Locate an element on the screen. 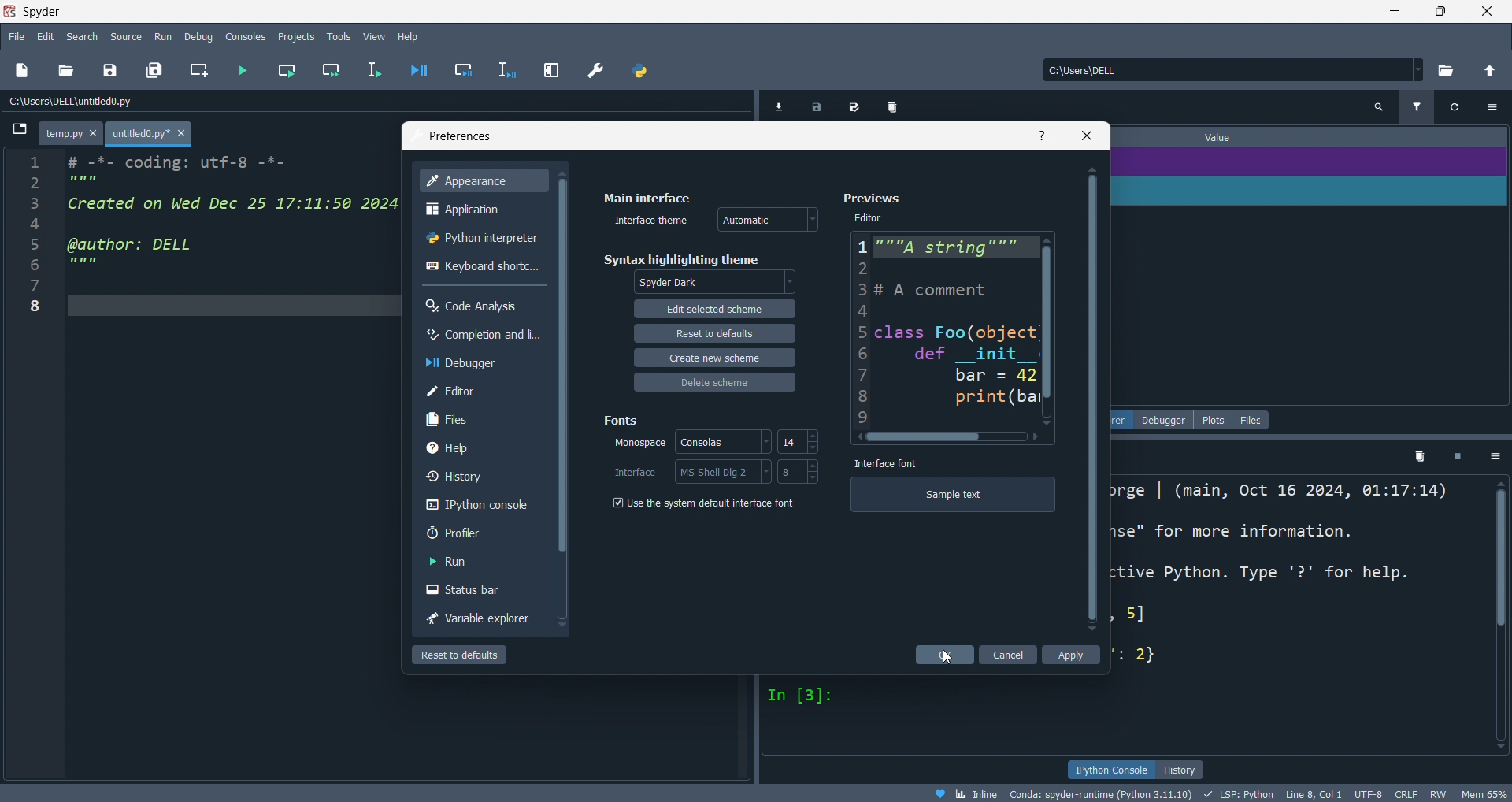 The image size is (1512, 802). edit is located at coordinates (712, 308).